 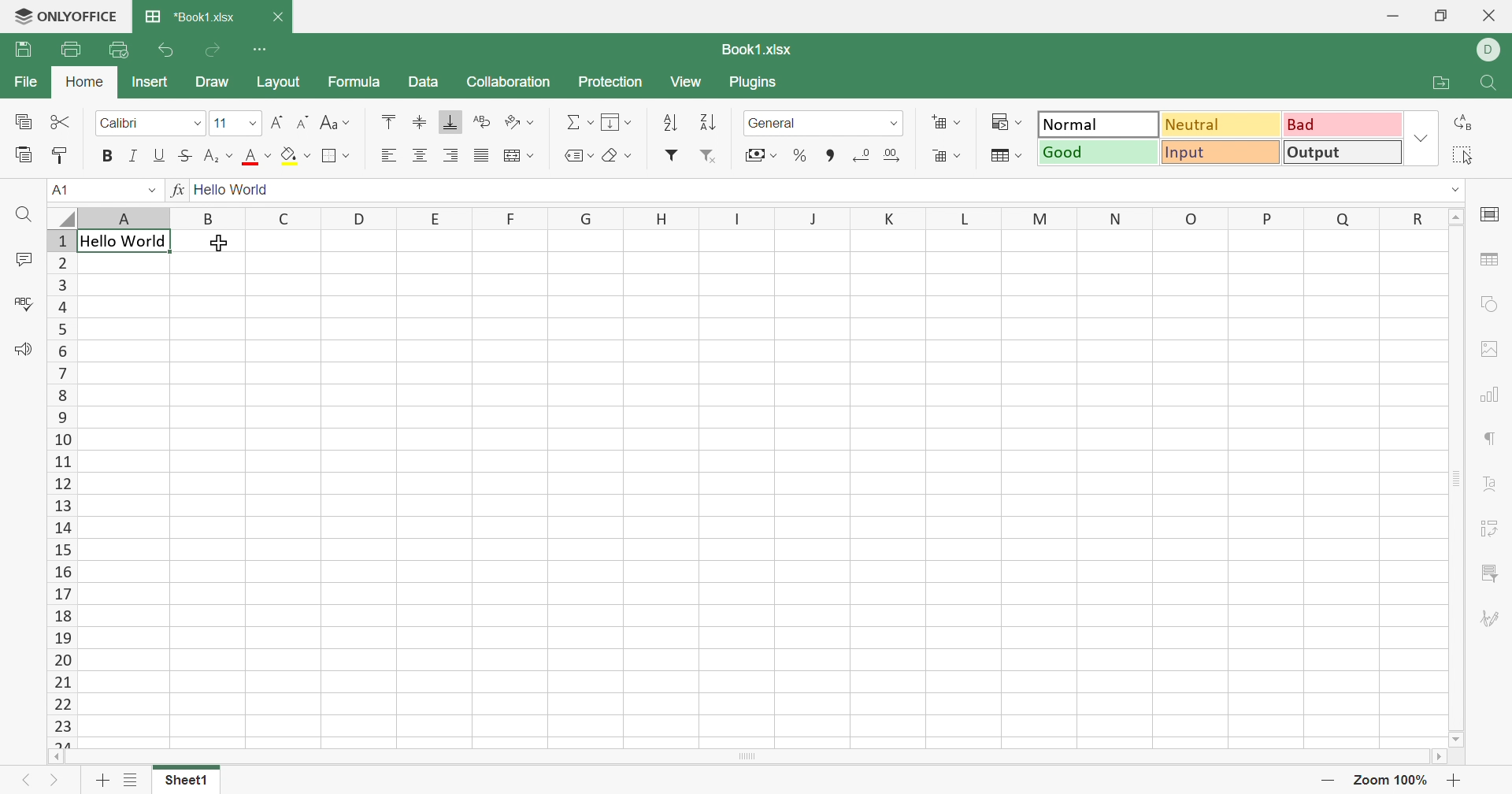 I want to click on Number format, so click(x=821, y=123).